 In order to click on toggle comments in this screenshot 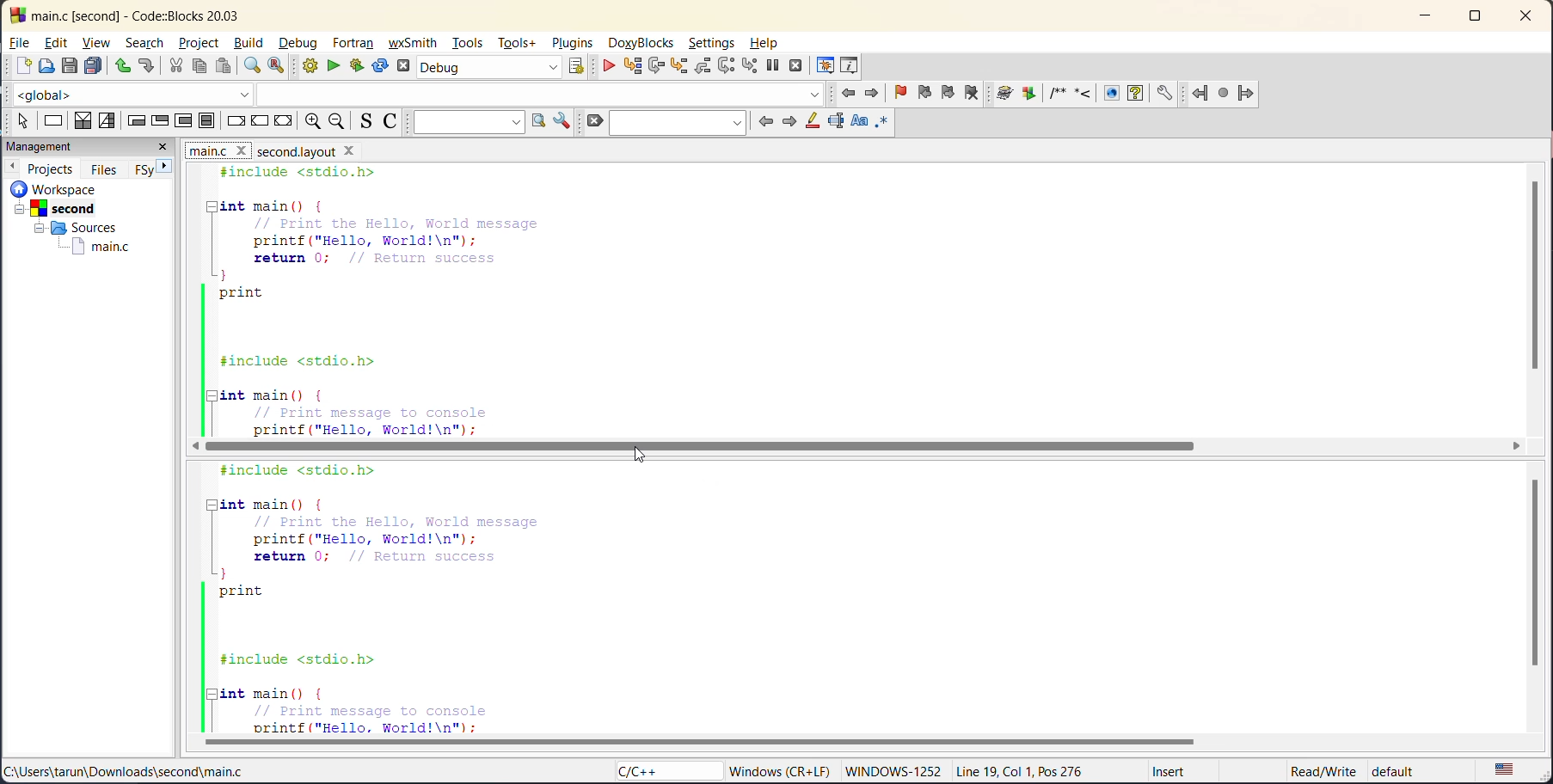, I will do `click(390, 121)`.